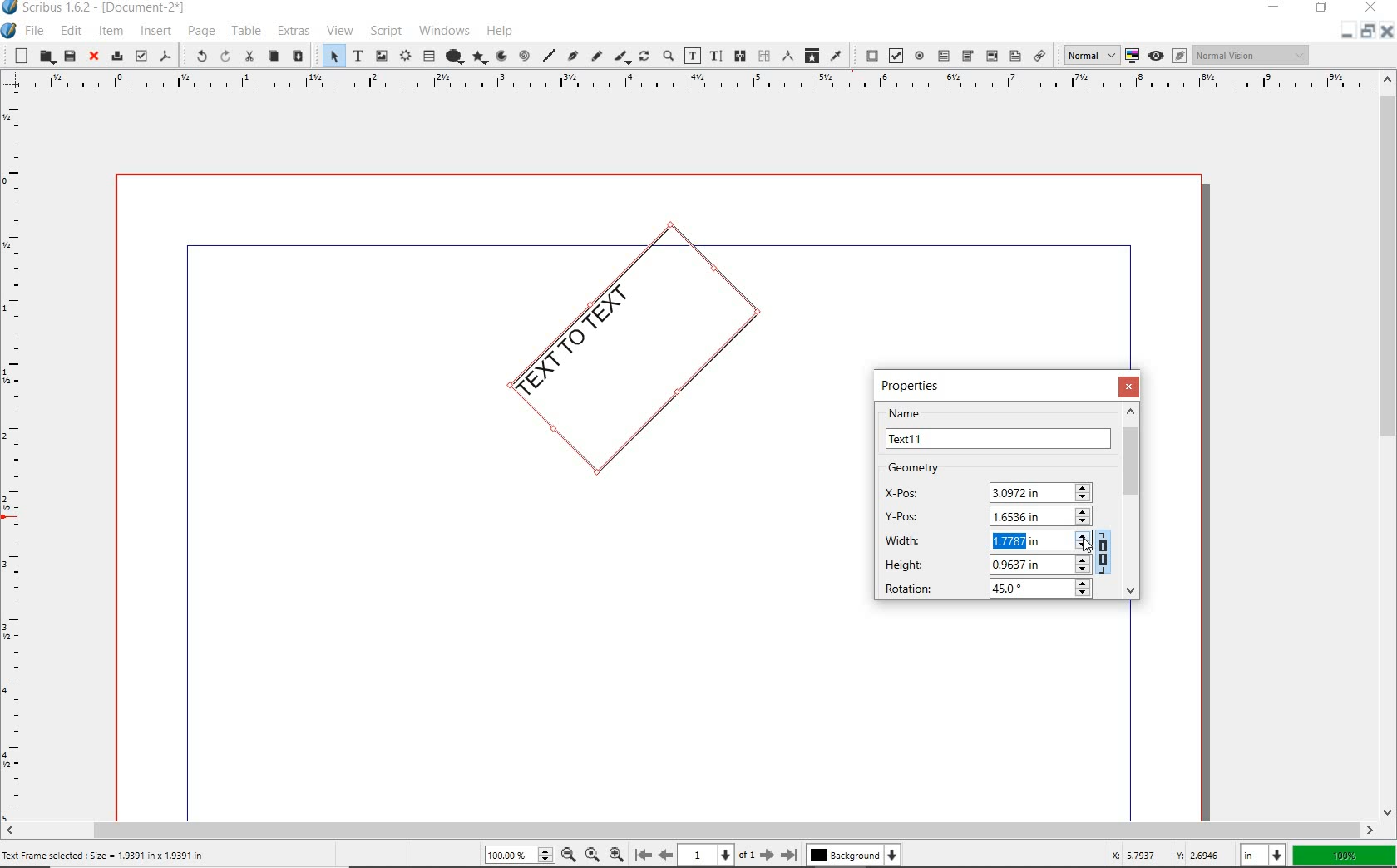  Describe the element at coordinates (1038, 55) in the screenshot. I see `link annotation` at that location.